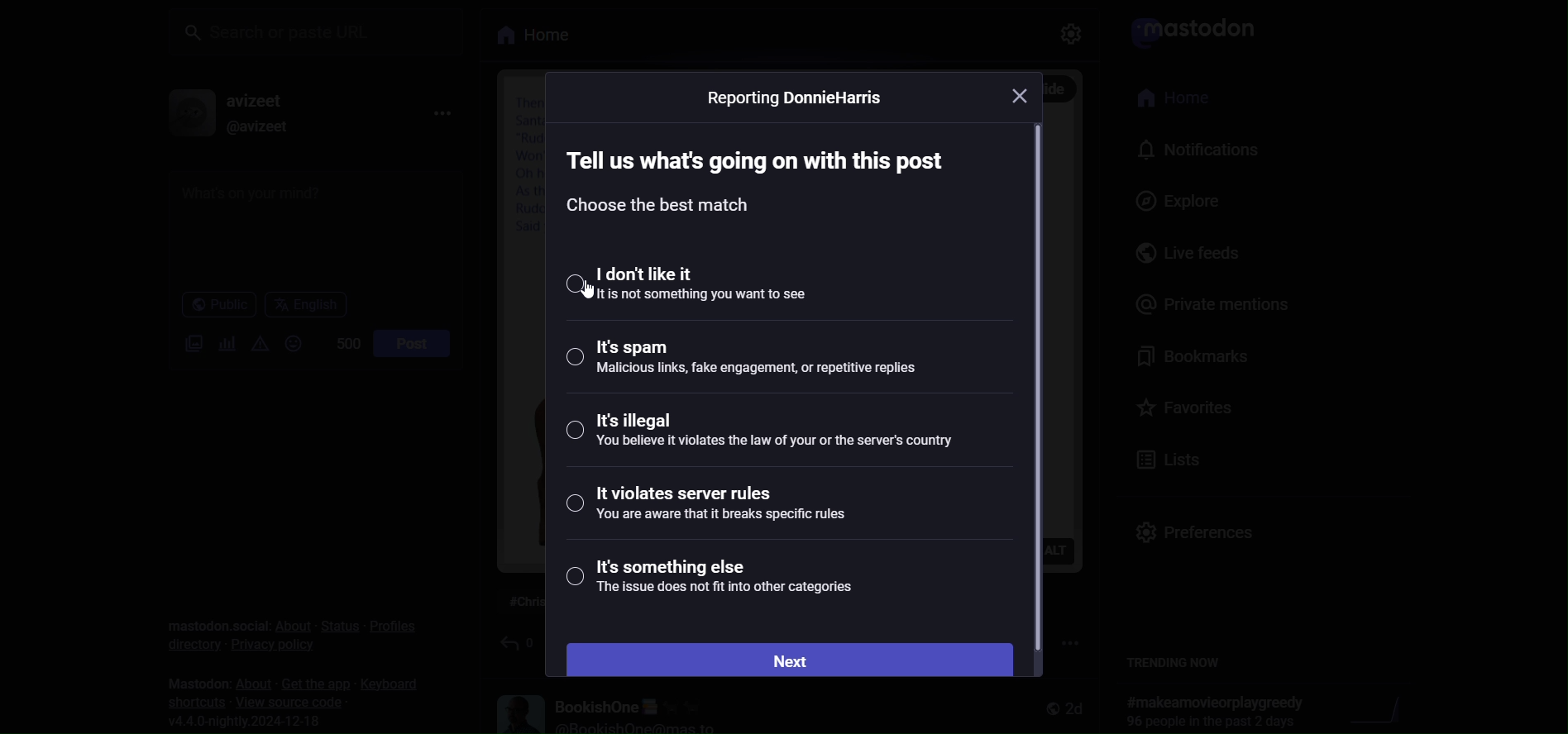 Image resolution: width=1568 pixels, height=734 pixels. What do you see at coordinates (290, 626) in the screenshot?
I see `about` at bounding box center [290, 626].